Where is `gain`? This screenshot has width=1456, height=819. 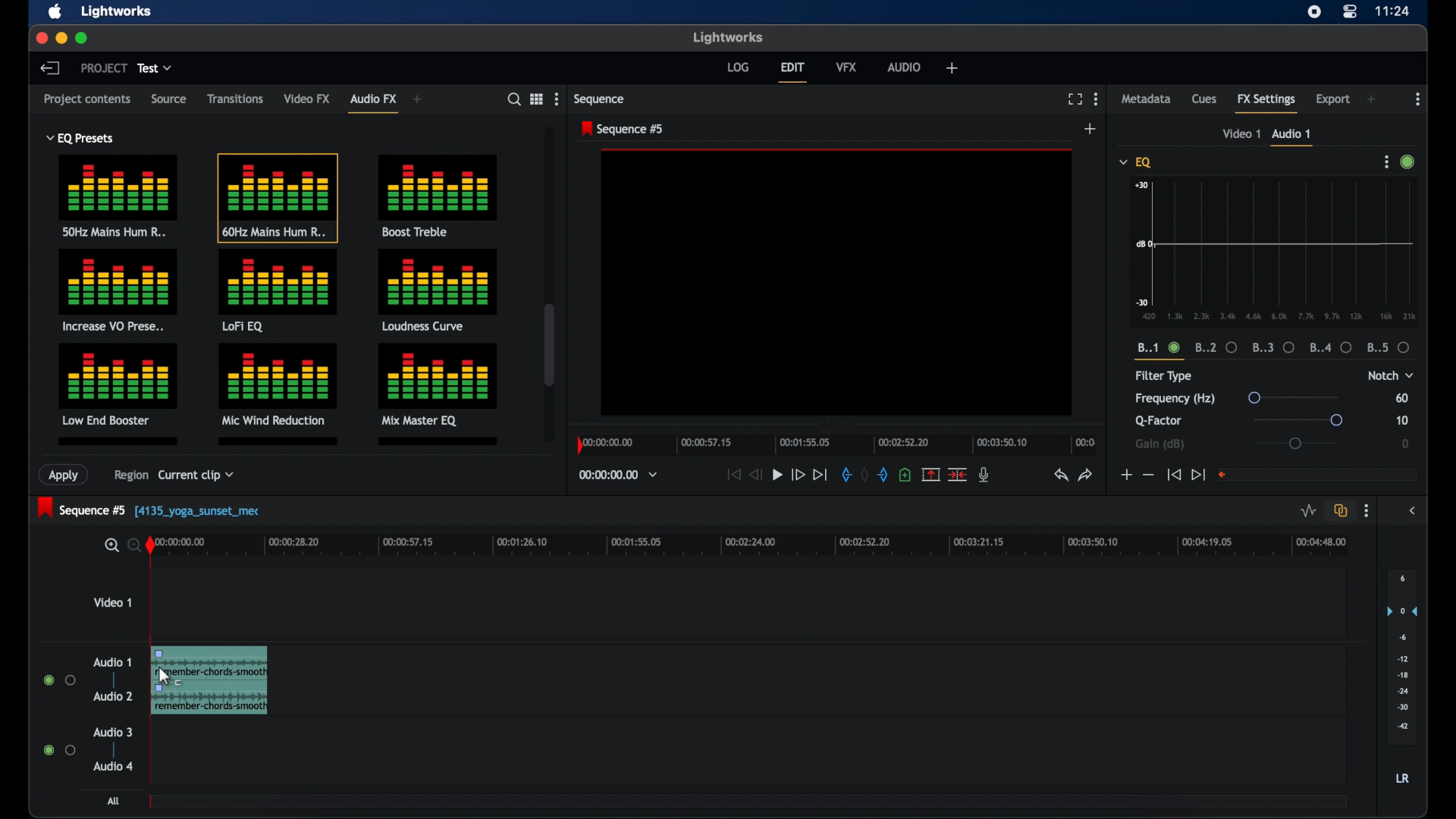
gain is located at coordinates (1161, 444).